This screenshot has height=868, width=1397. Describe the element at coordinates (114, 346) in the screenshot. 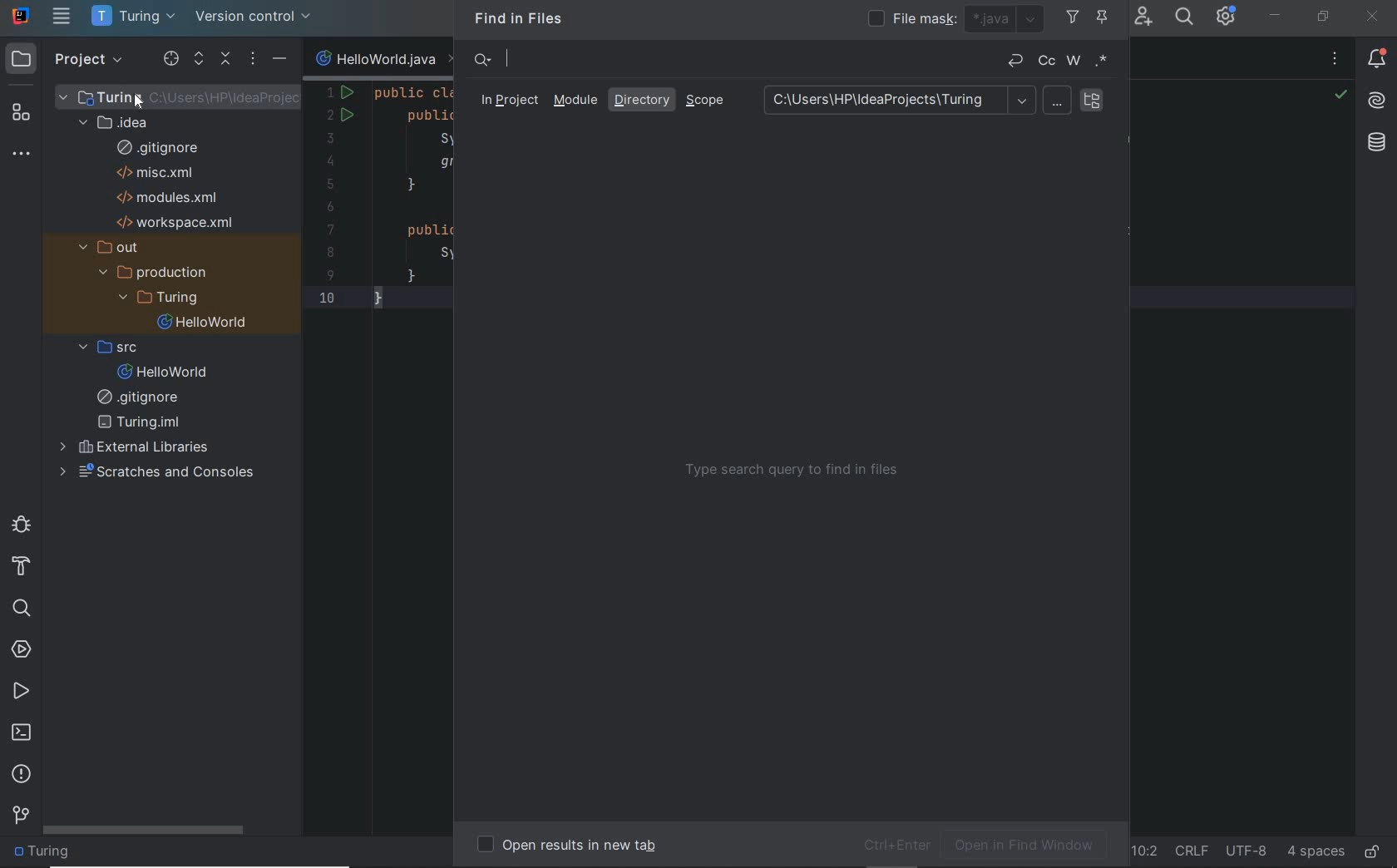

I see `src` at that location.